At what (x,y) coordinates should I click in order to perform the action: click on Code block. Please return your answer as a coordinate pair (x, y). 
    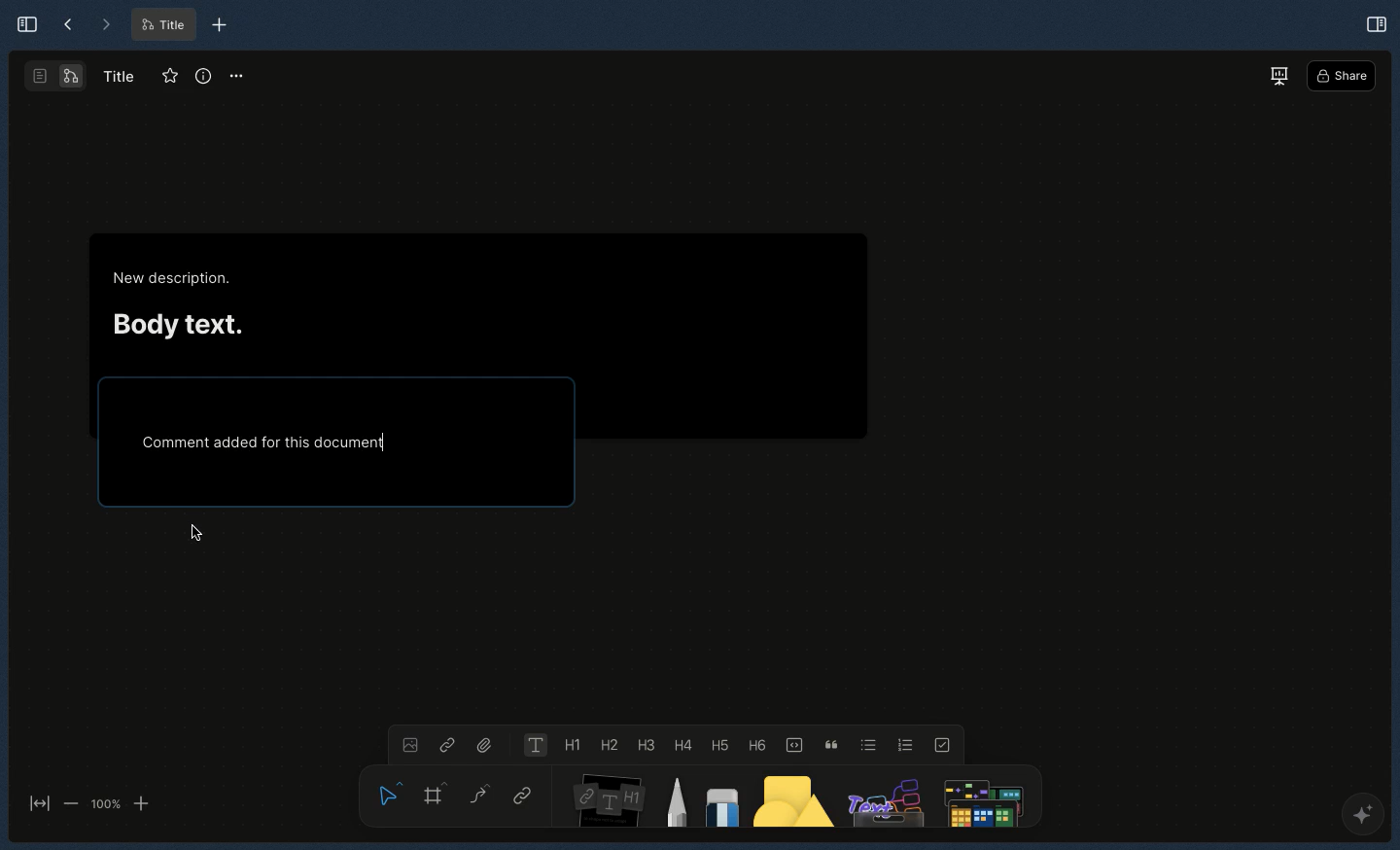
    Looking at the image, I should click on (792, 743).